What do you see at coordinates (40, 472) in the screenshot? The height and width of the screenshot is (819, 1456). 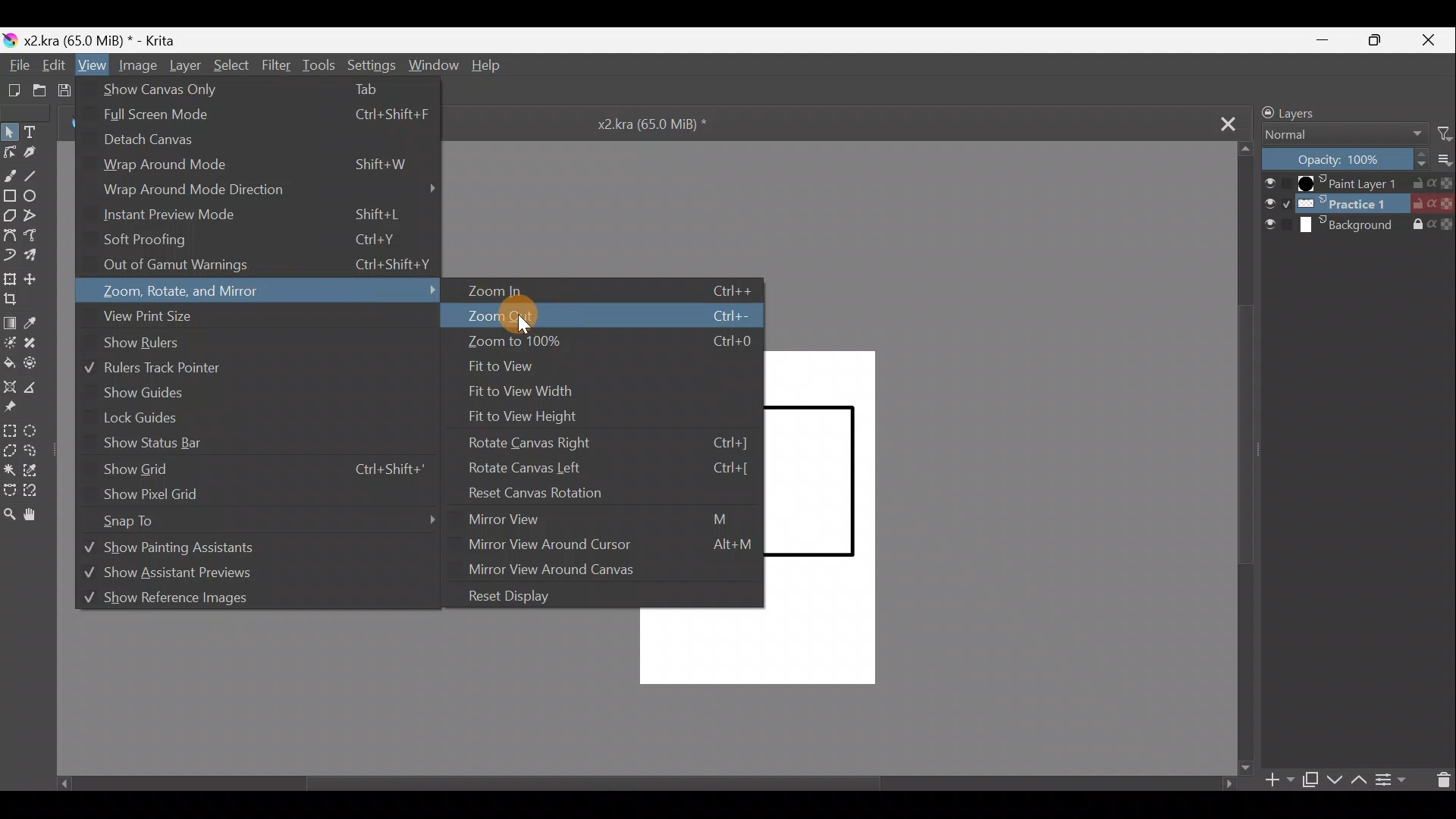 I see `Similar colour selection tool` at bounding box center [40, 472].